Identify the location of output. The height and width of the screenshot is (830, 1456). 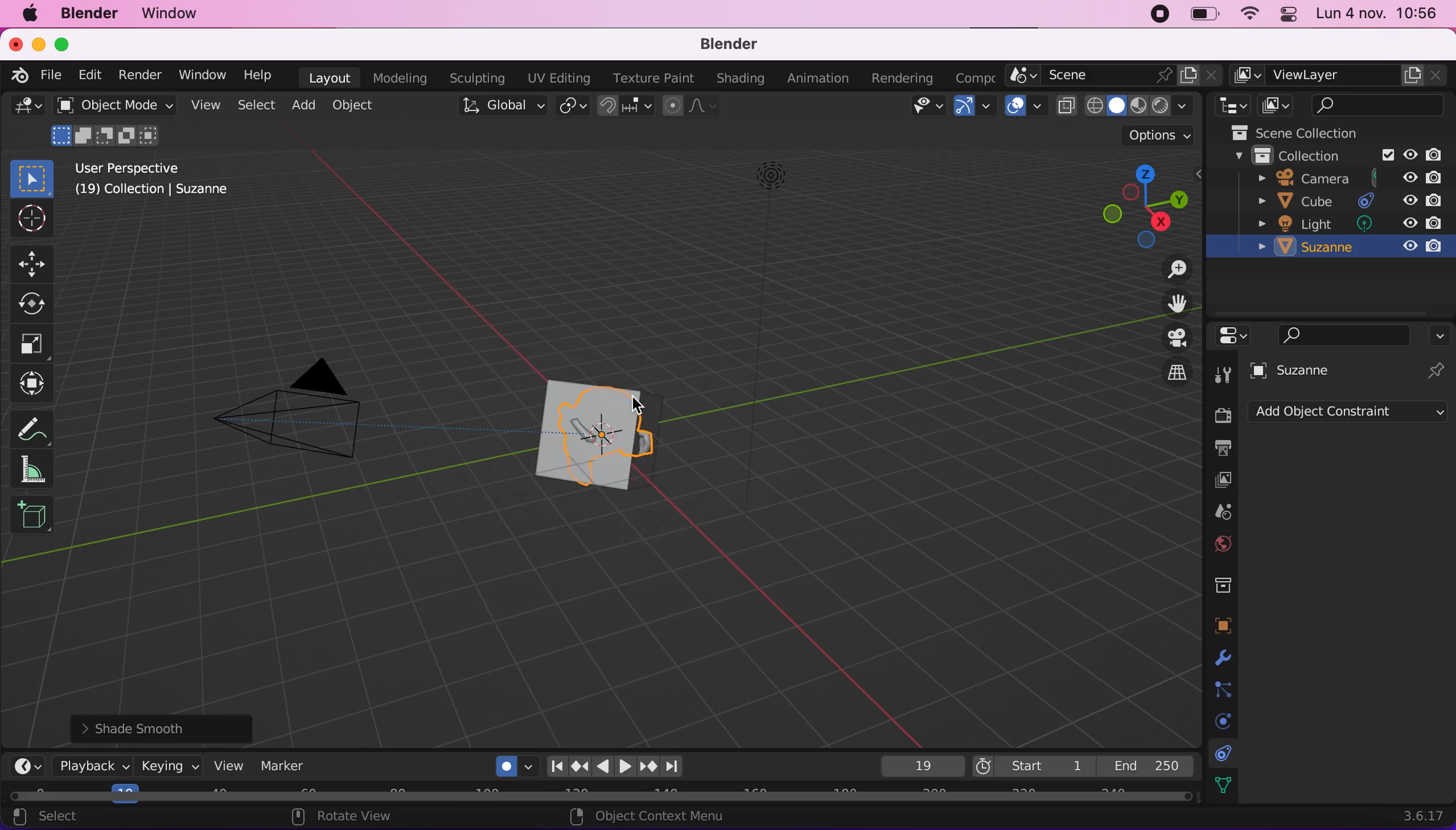
(1220, 449).